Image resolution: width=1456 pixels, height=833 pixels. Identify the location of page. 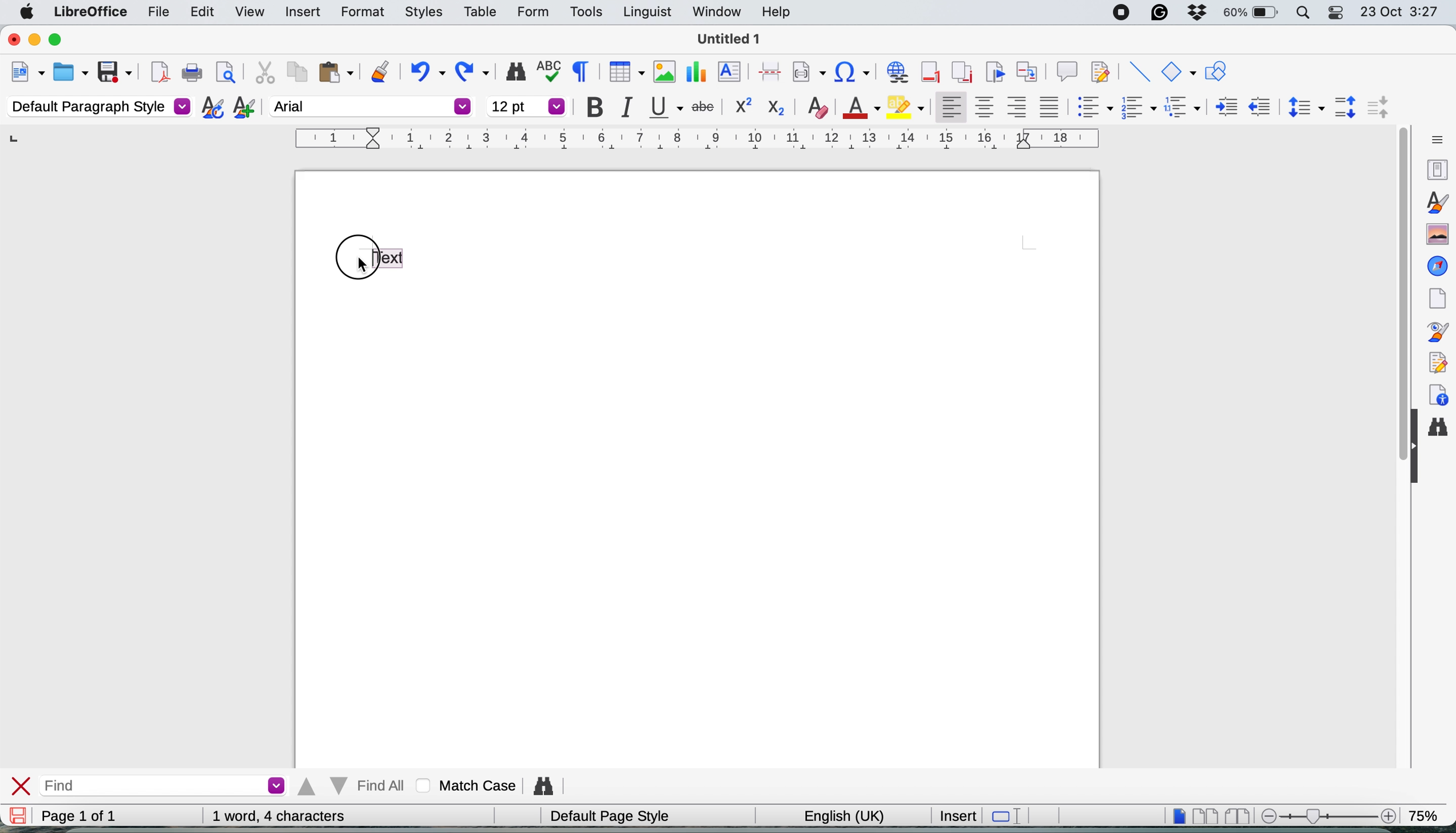
(1437, 298).